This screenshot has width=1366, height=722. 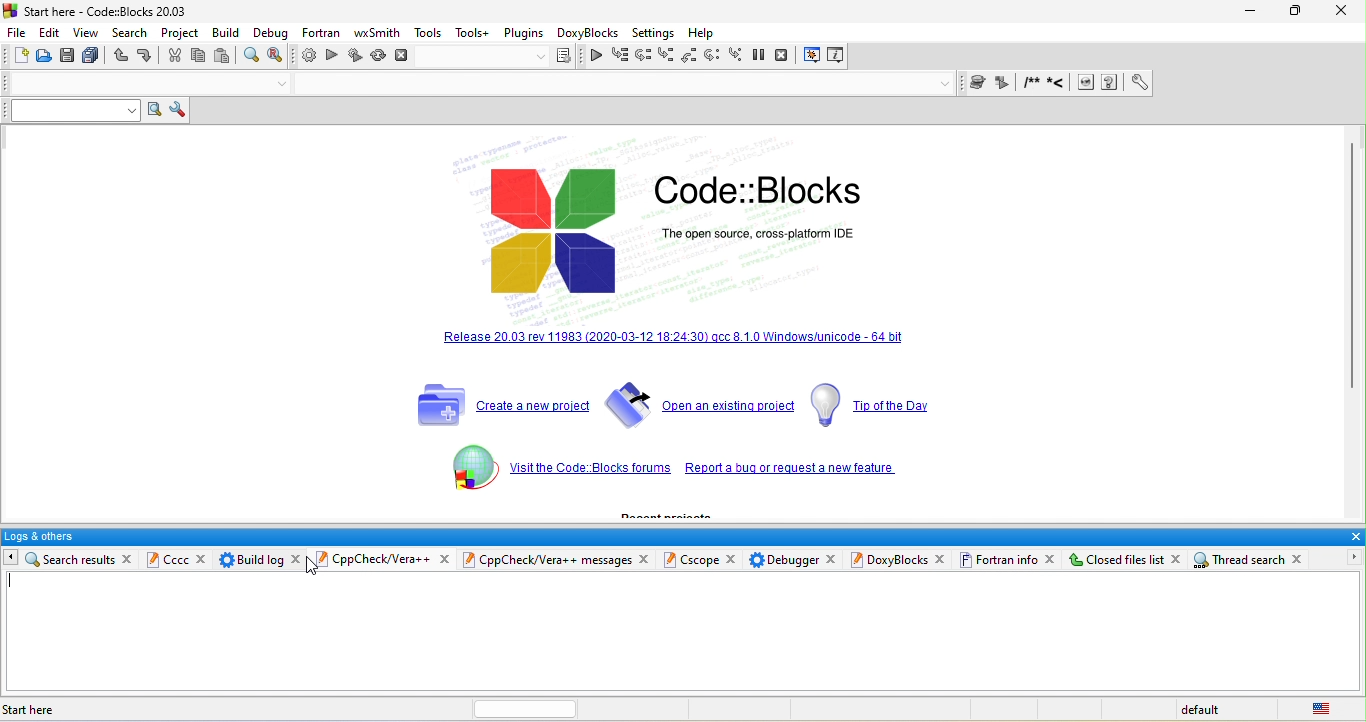 What do you see at coordinates (835, 56) in the screenshot?
I see `various info` at bounding box center [835, 56].